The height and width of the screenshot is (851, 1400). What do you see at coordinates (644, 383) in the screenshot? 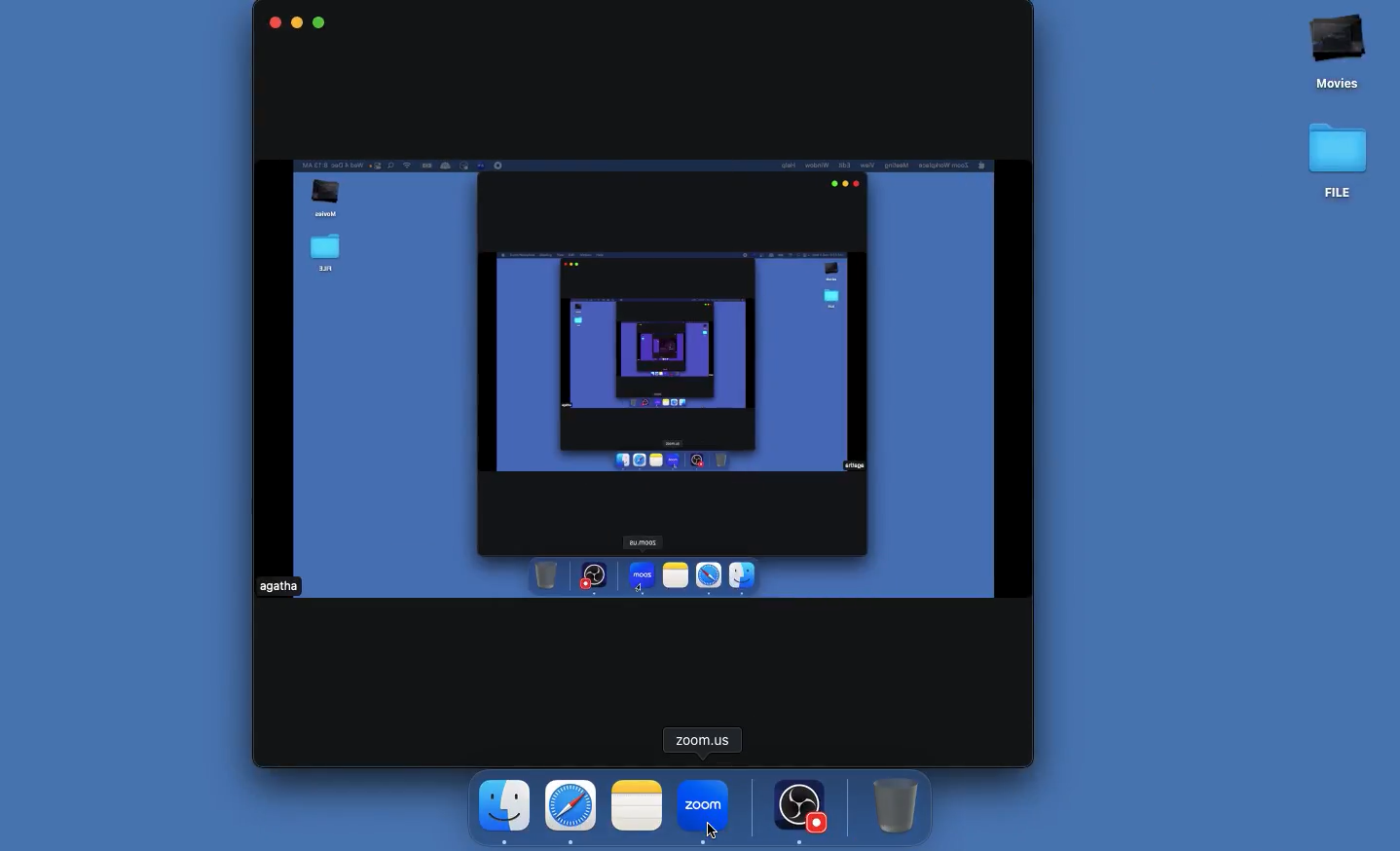
I see `Virtual camera output` at bounding box center [644, 383].